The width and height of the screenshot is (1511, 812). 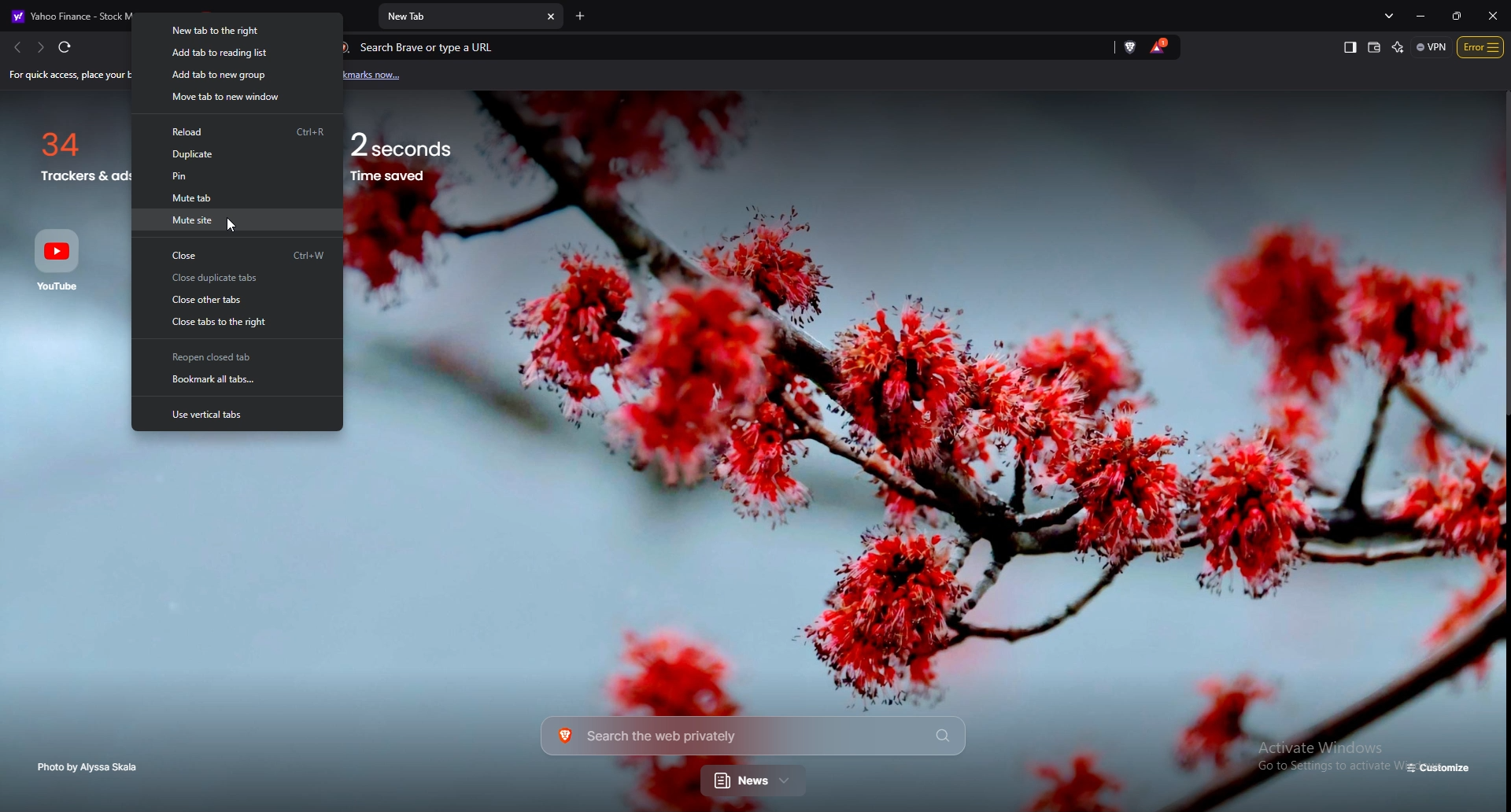 What do you see at coordinates (1350, 48) in the screenshot?
I see `show sidebar` at bounding box center [1350, 48].